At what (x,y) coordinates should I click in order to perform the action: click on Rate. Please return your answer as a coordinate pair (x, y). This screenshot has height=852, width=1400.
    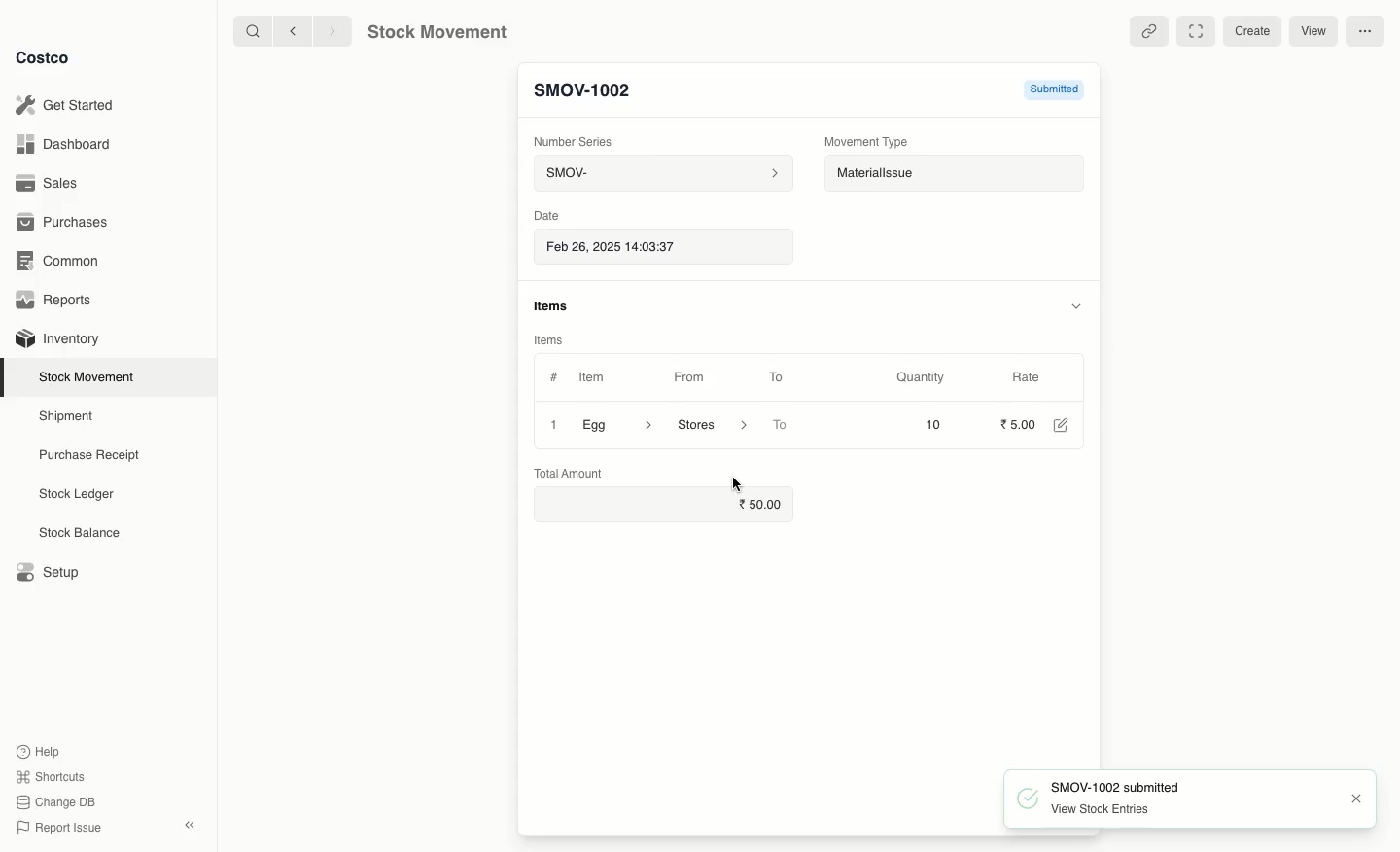
    Looking at the image, I should click on (1027, 374).